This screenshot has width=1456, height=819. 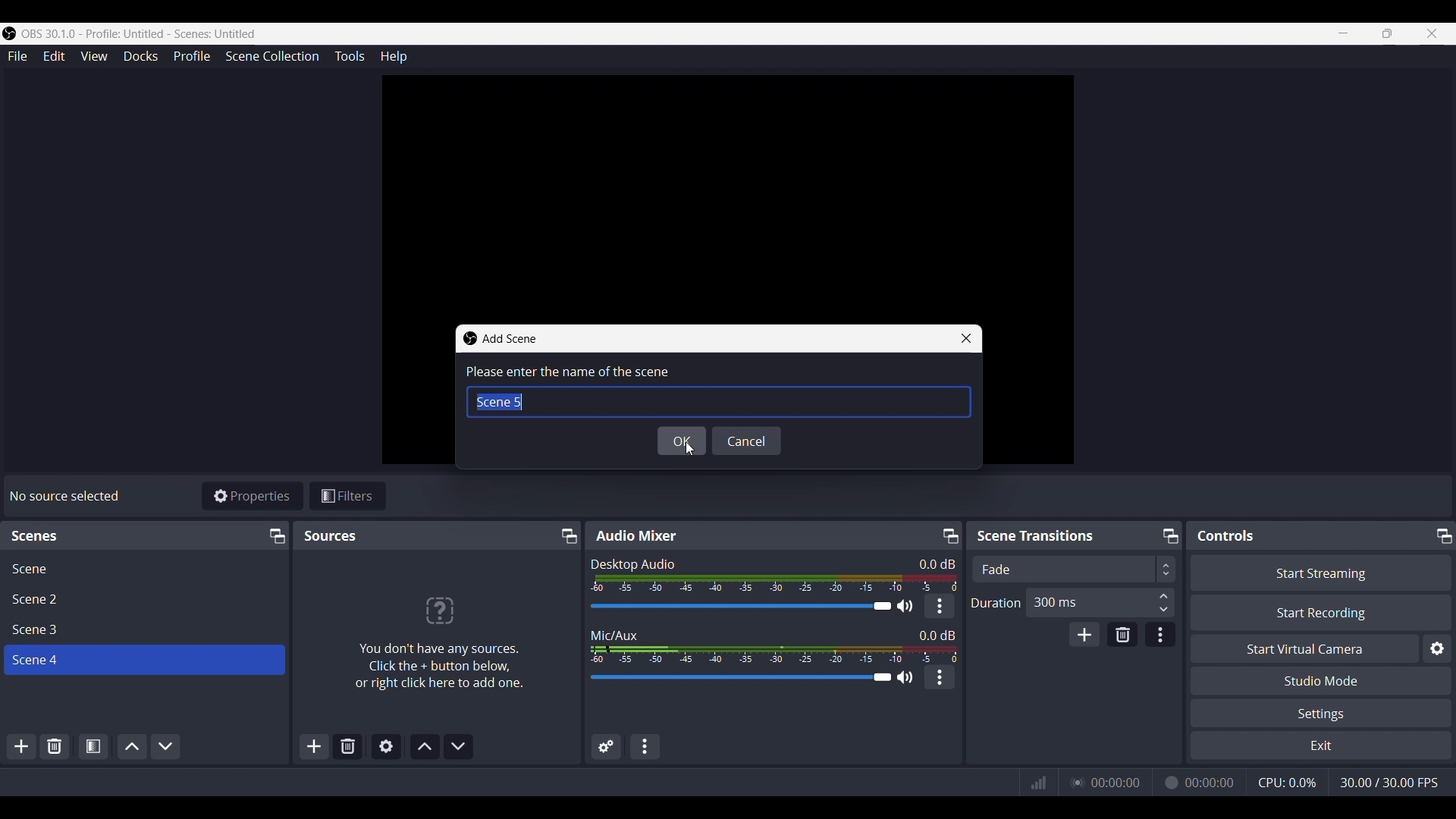 What do you see at coordinates (348, 495) in the screenshot?
I see `Filters` at bounding box center [348, 495].